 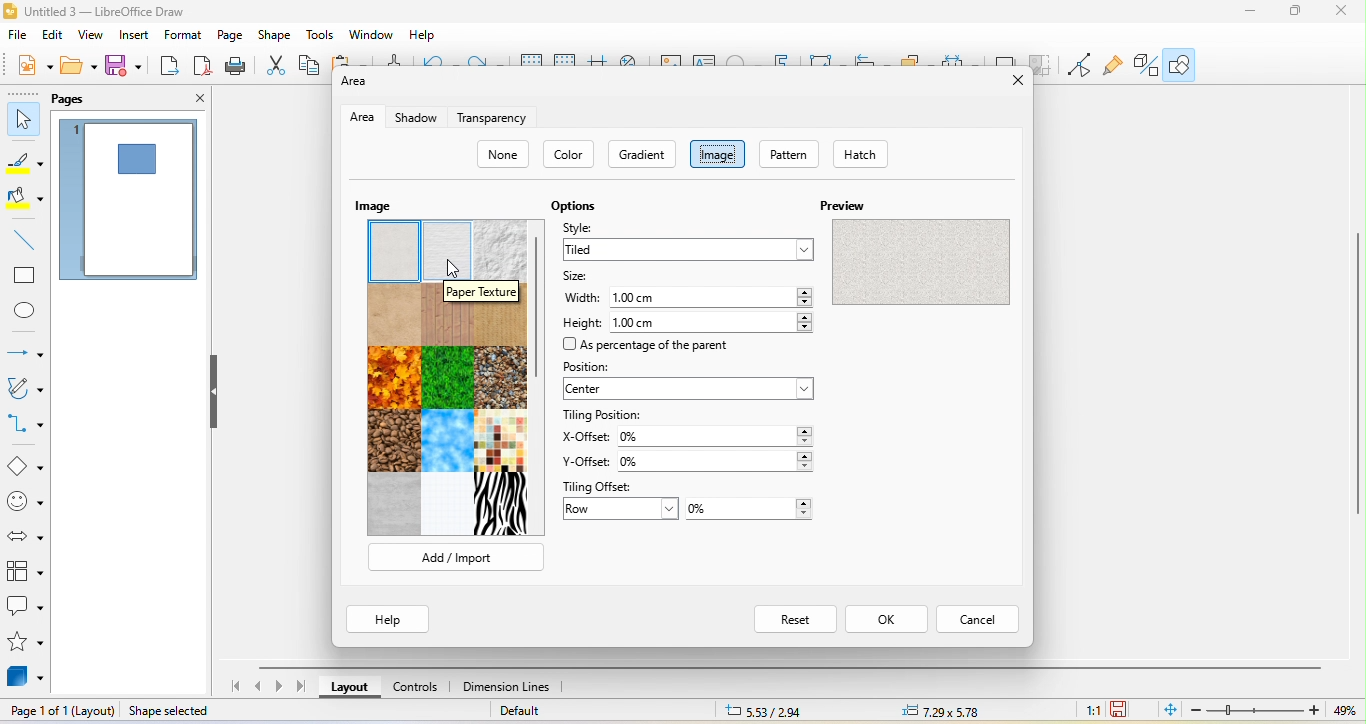 What do you see at coordinates (95, 37) in the screenshot?
I see `view` at bounding box center [95, 37].